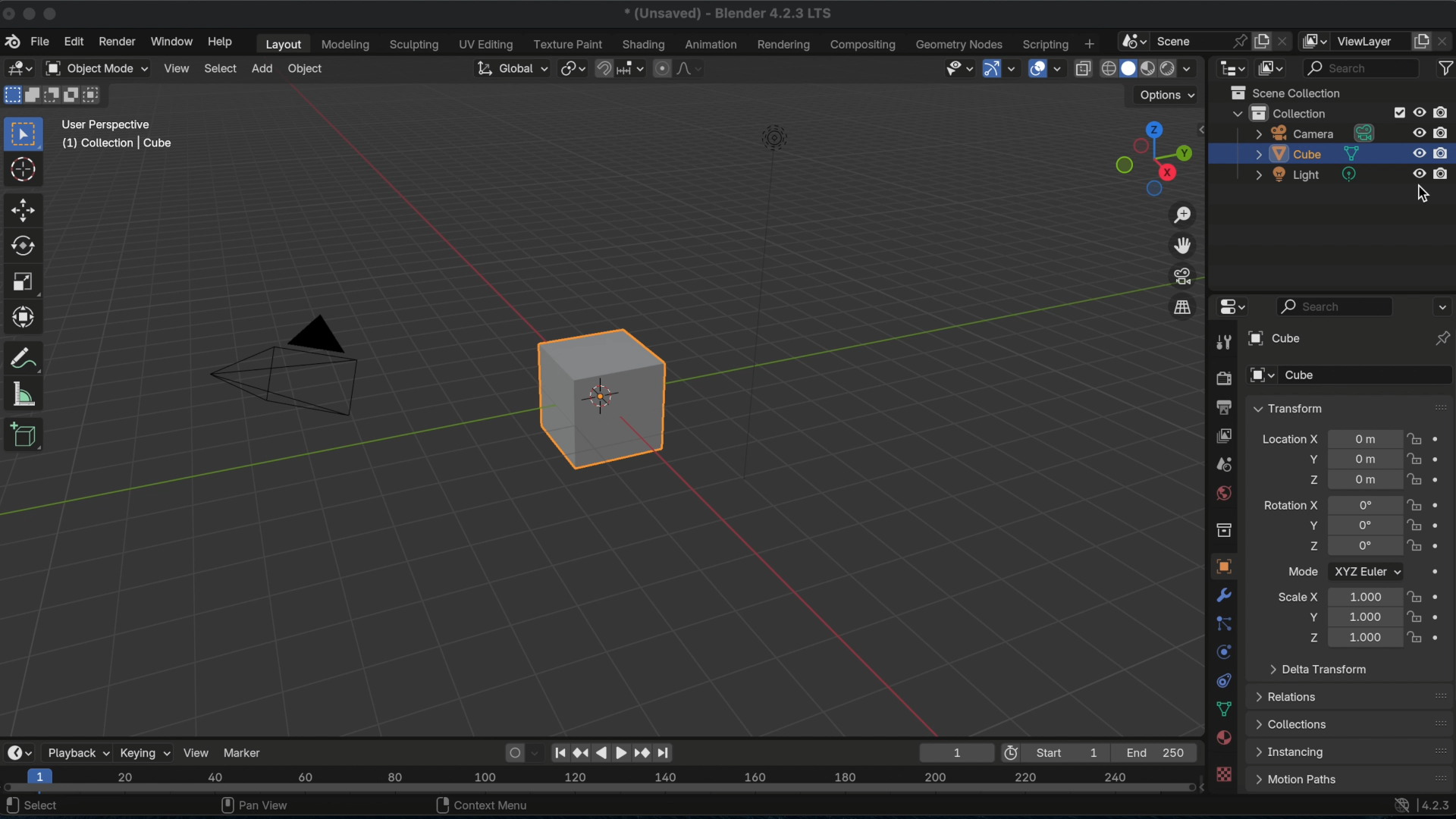 The height and width of the screenshot is (819, 1456). Describe the element at coordinates (121, 143) in the screenshot. I see `(1) collection cube` at that location.